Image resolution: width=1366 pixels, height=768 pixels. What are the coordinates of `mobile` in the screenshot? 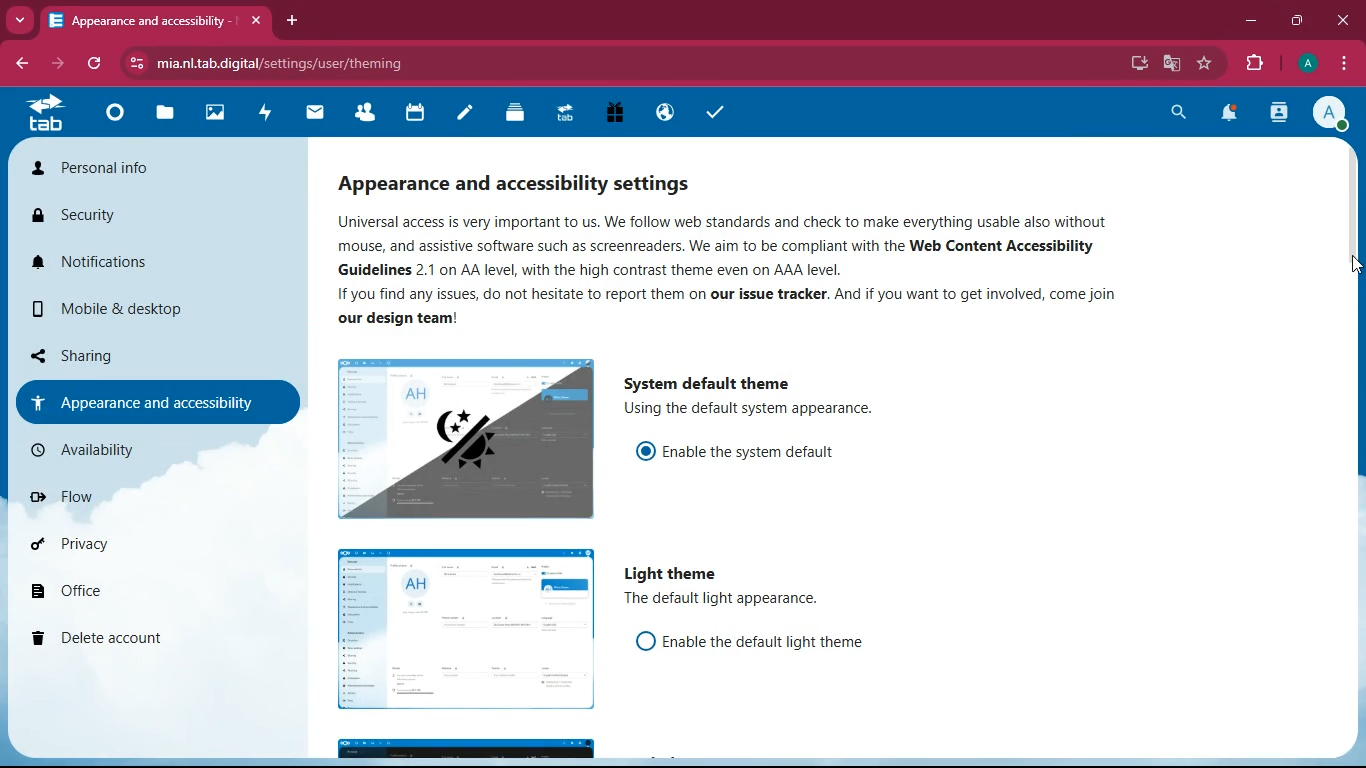 It's located at (117, 309).